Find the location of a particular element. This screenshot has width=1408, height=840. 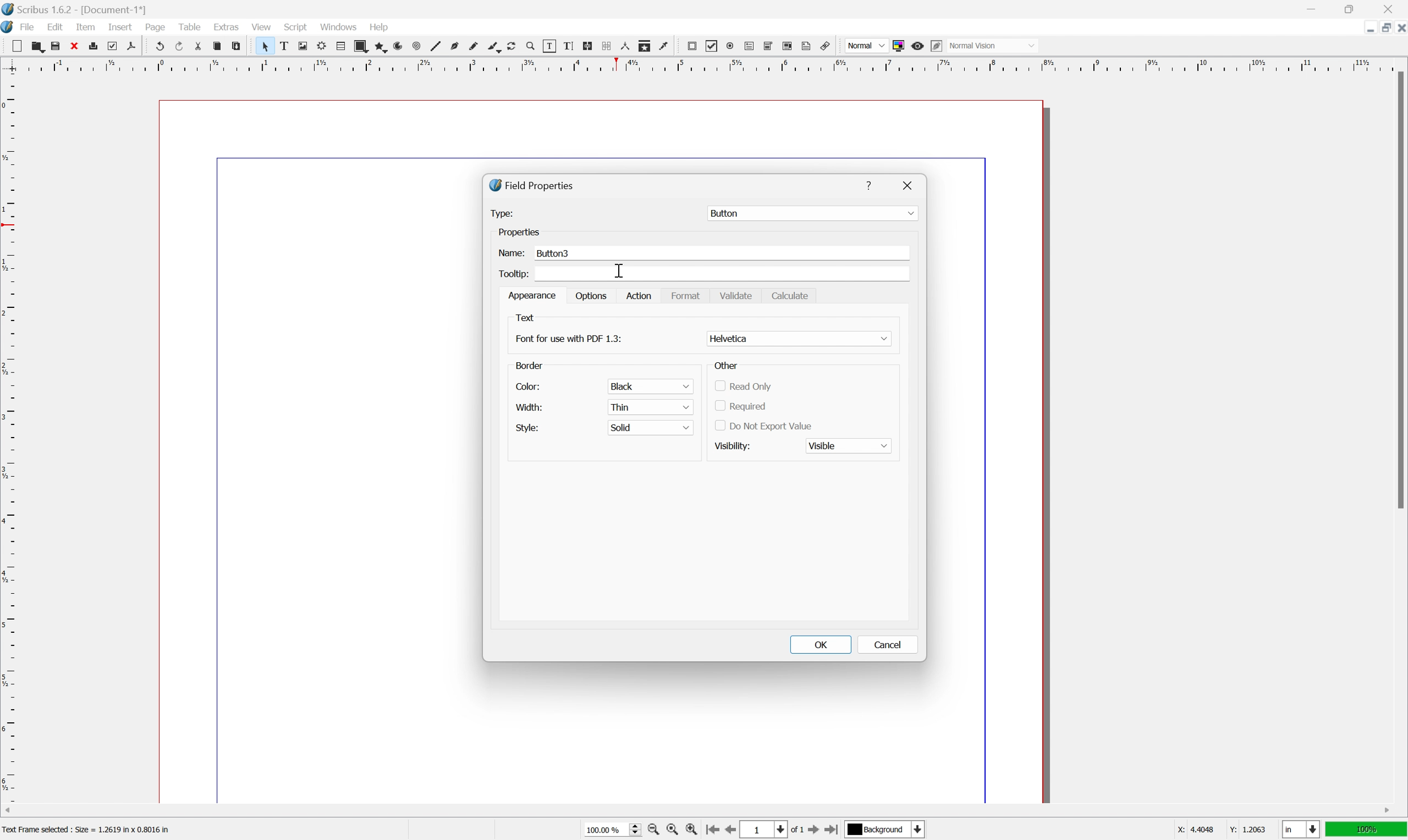

calligraphy line is located at coordinates (493, 46).